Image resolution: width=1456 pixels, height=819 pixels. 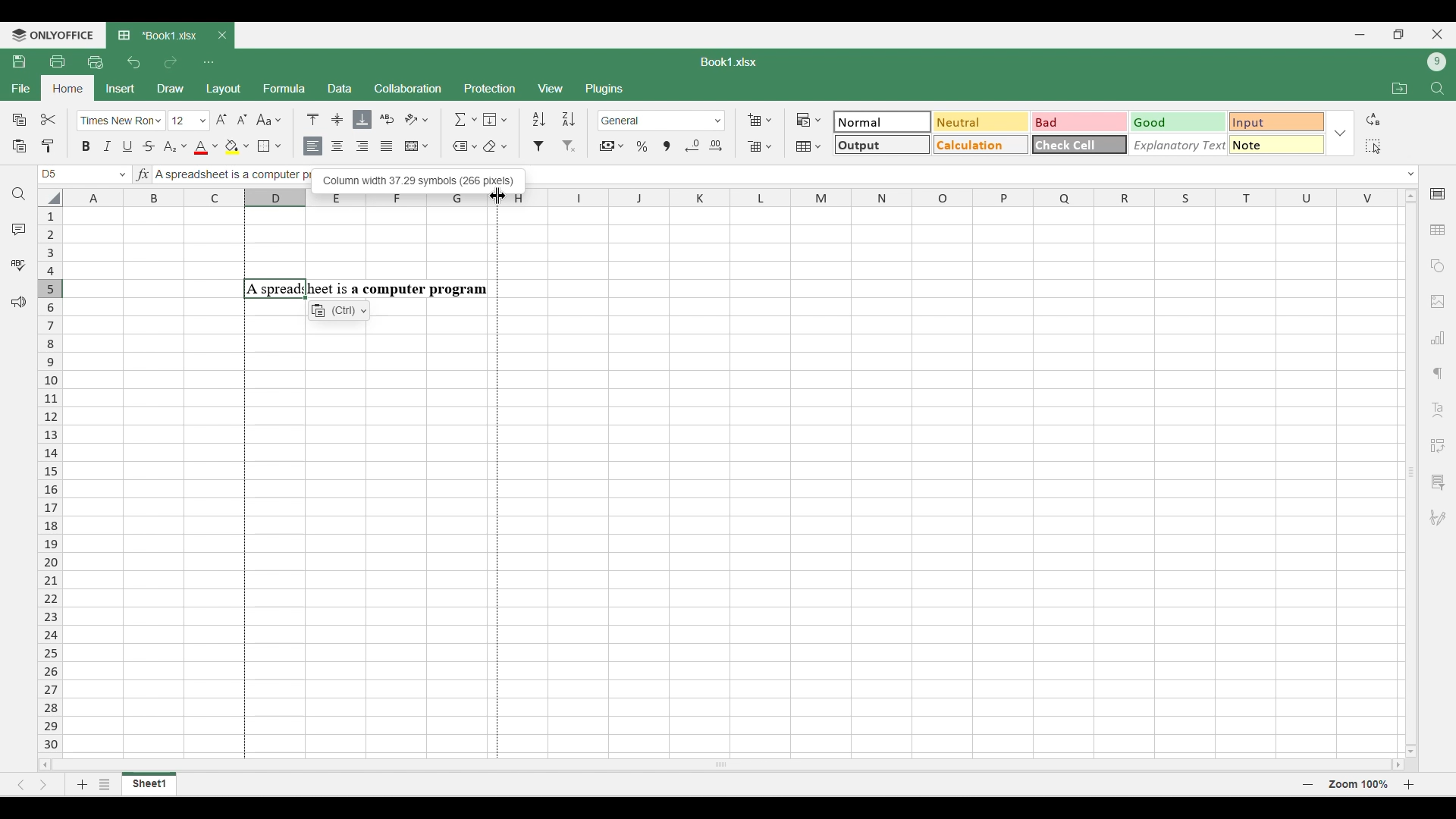 I want to click on ONLYOFFICE's software logo, so click(x=53, y=36).